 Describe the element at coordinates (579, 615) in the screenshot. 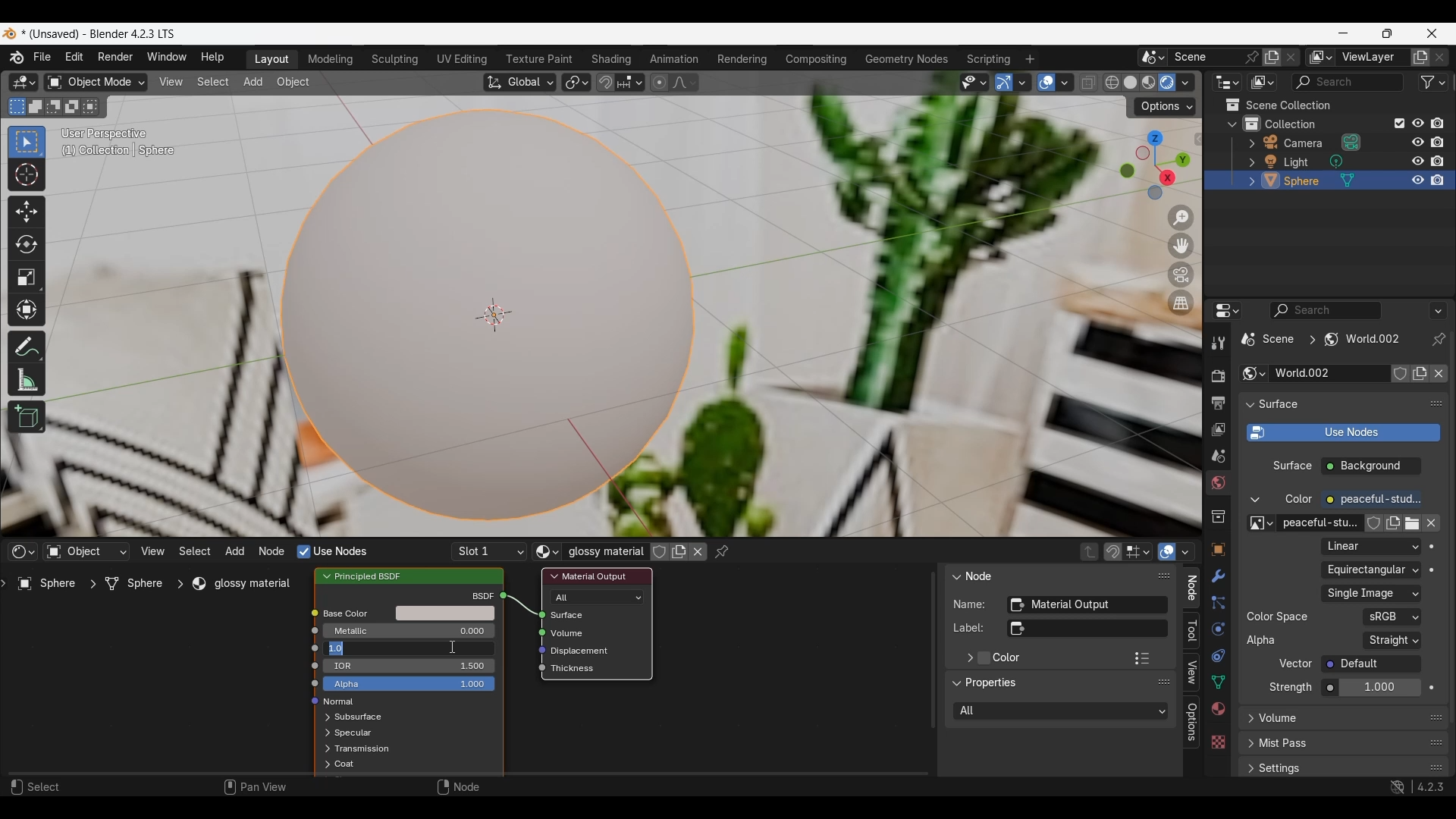

I see `Surface` at that location.